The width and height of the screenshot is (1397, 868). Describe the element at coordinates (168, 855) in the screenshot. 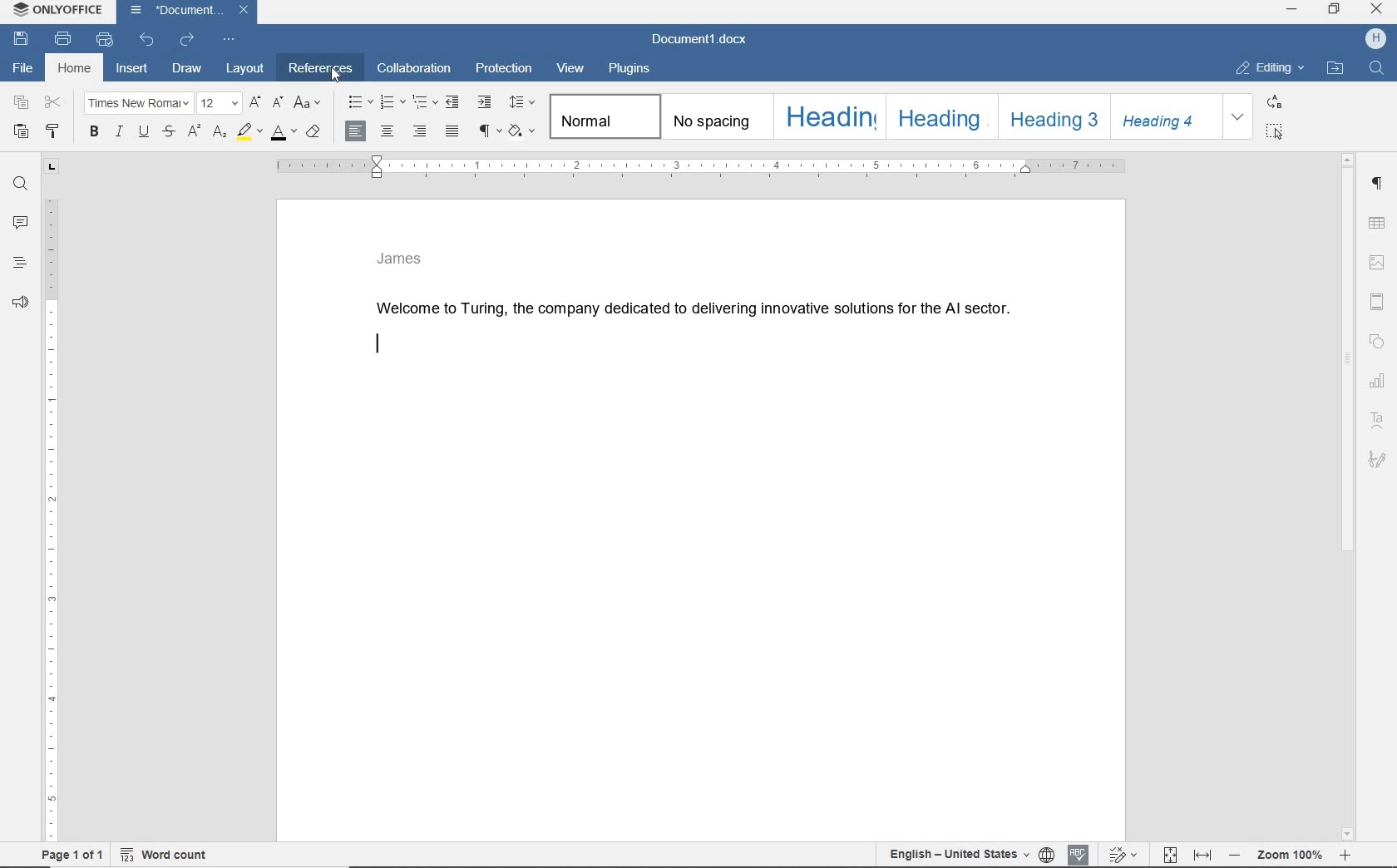

I see `wordcount` at that location.